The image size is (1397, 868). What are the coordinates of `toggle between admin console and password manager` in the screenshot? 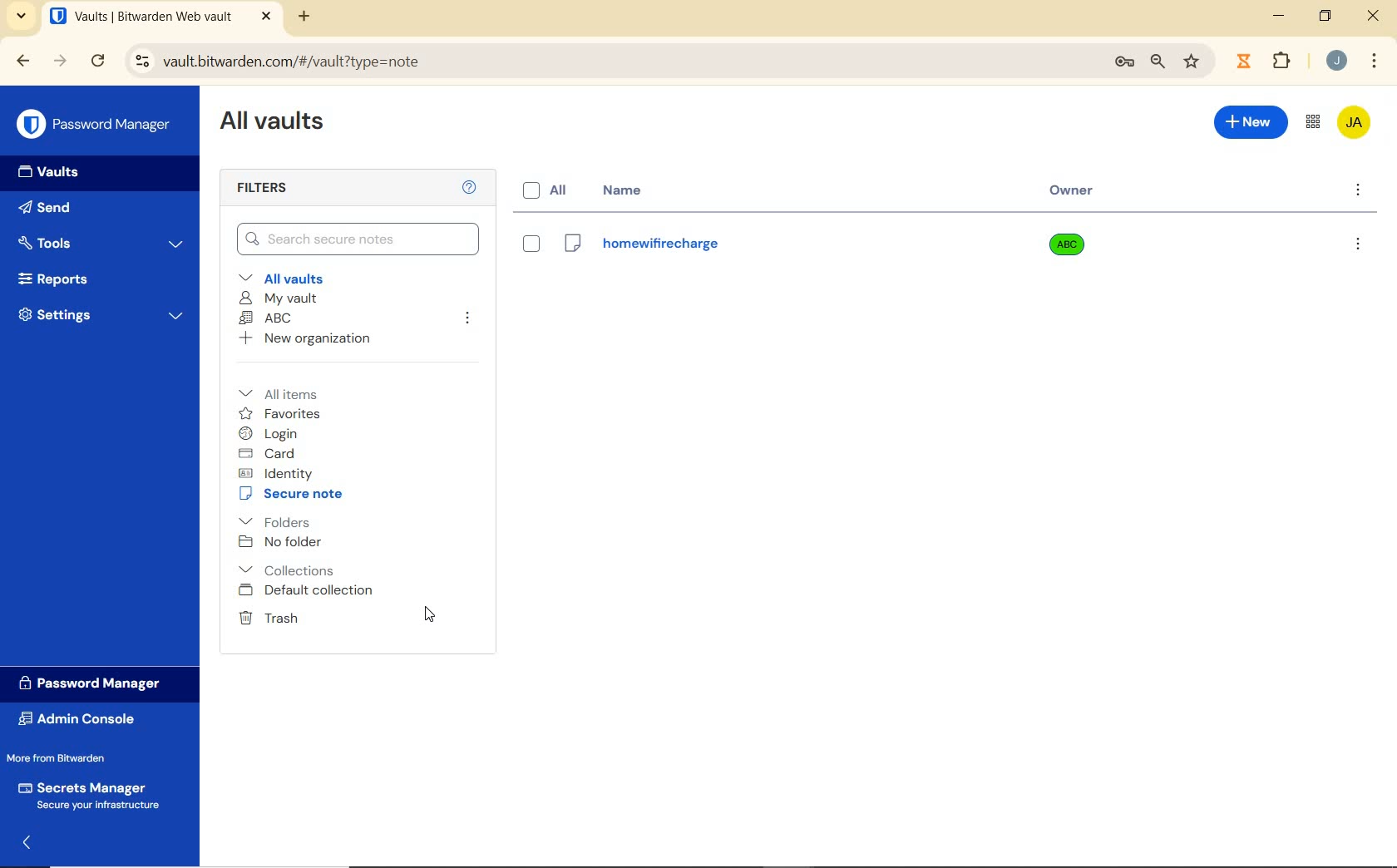 It's located at (1313, 123).